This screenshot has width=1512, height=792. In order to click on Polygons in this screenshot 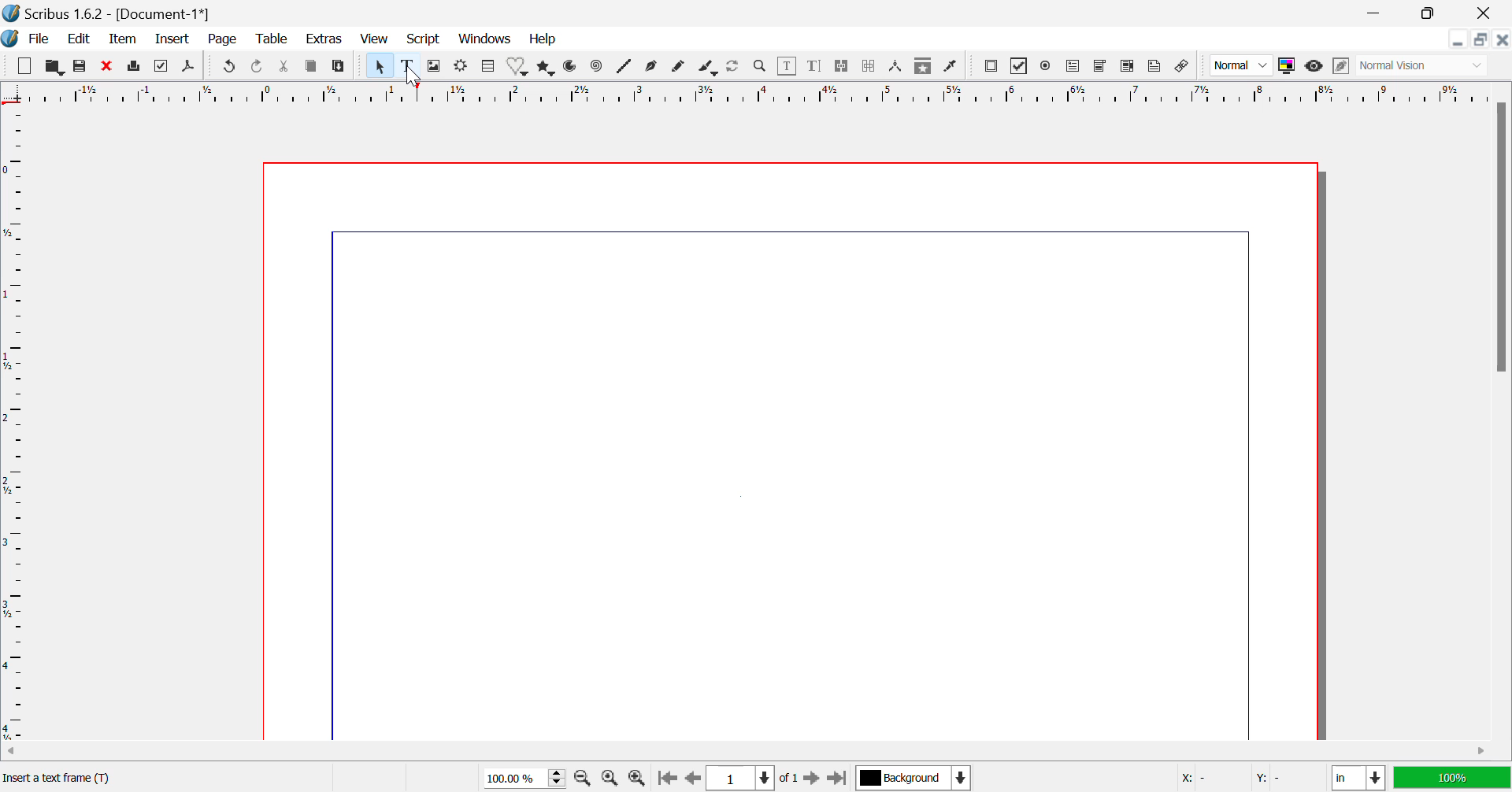, I will do `click(545, 69)`.